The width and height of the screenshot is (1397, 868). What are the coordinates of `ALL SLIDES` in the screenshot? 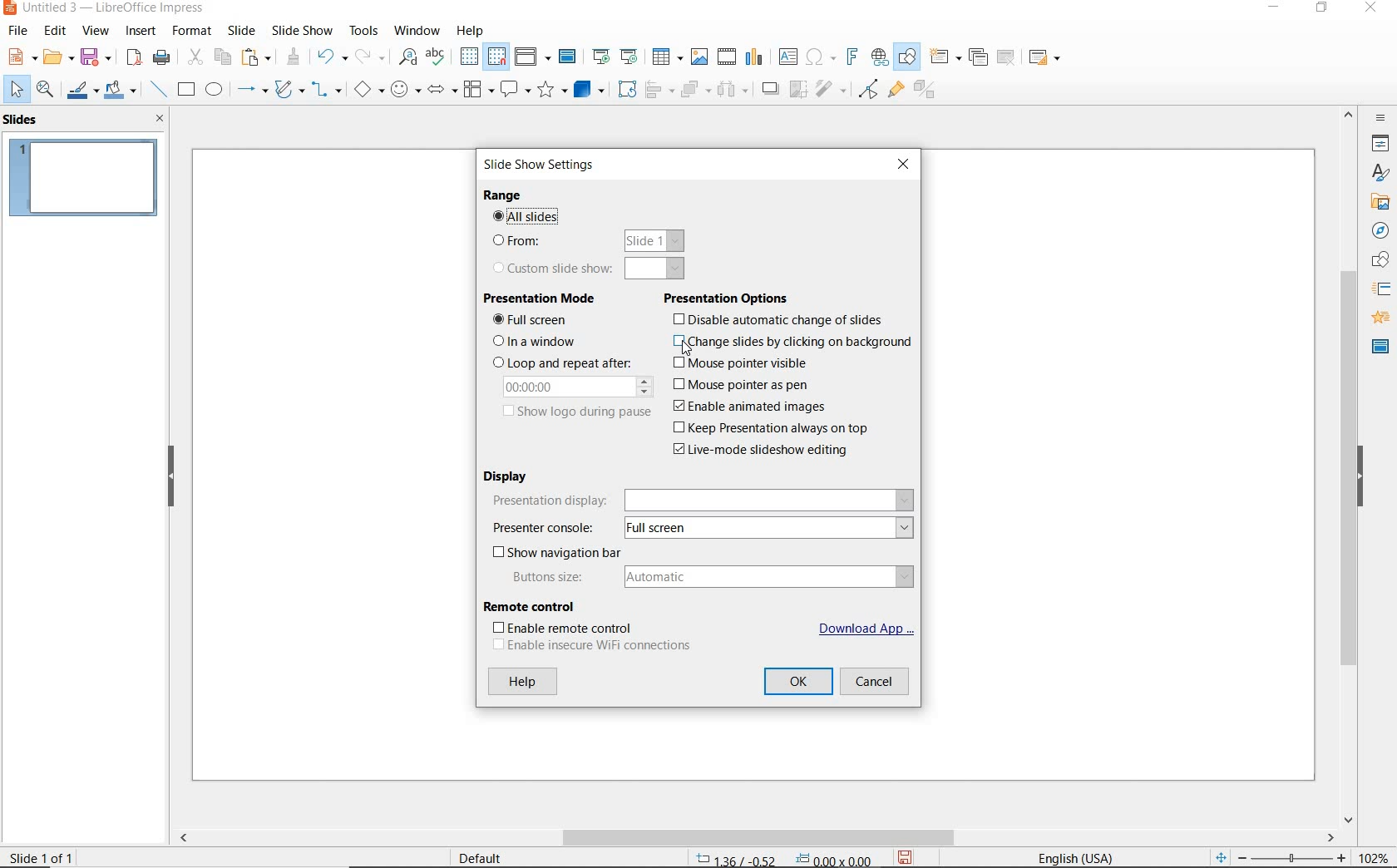 It's located at (521, 216).